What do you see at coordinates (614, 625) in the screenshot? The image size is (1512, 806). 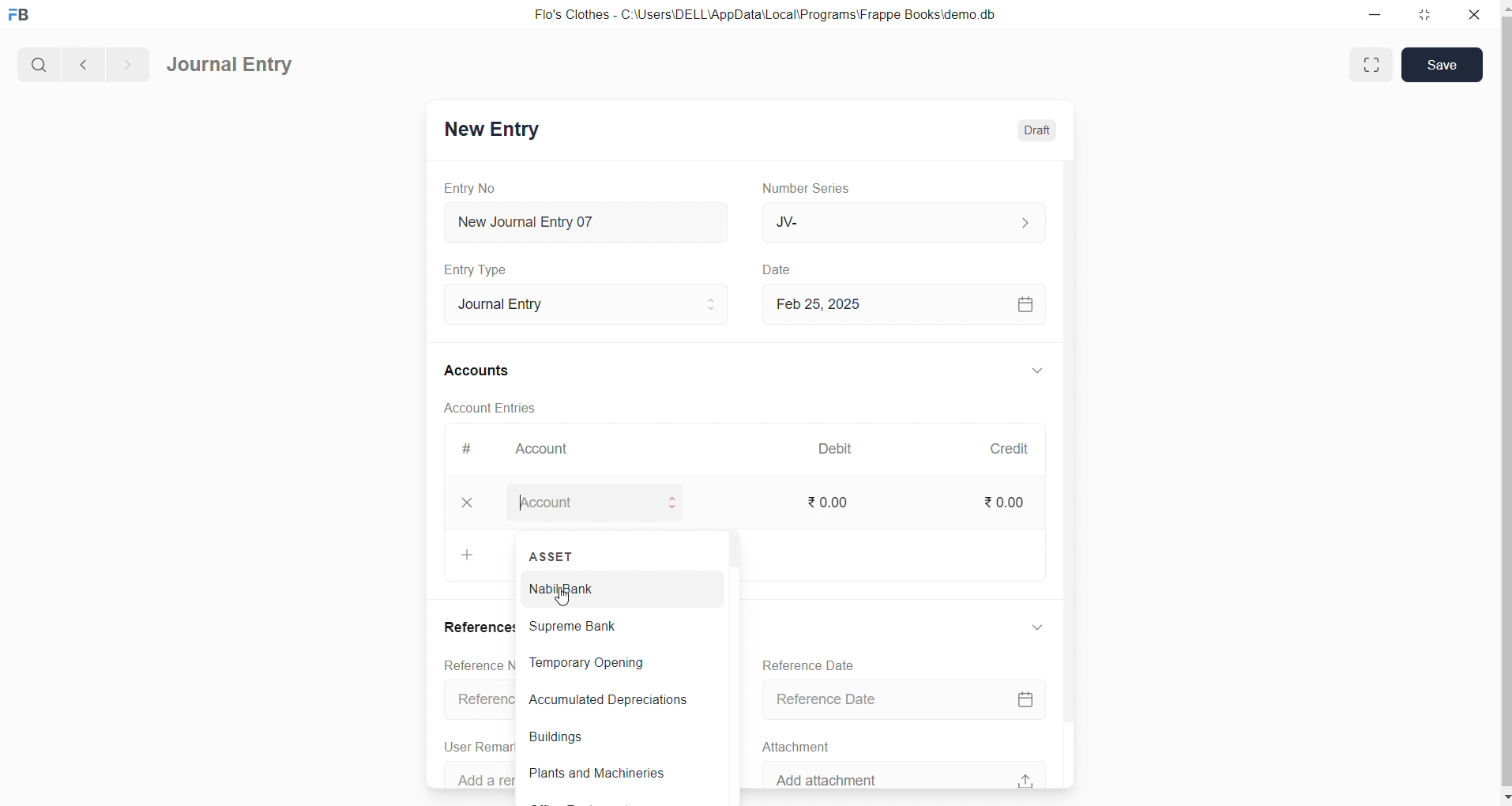 I see `supreme Bank` at bounding box center [614, 625].